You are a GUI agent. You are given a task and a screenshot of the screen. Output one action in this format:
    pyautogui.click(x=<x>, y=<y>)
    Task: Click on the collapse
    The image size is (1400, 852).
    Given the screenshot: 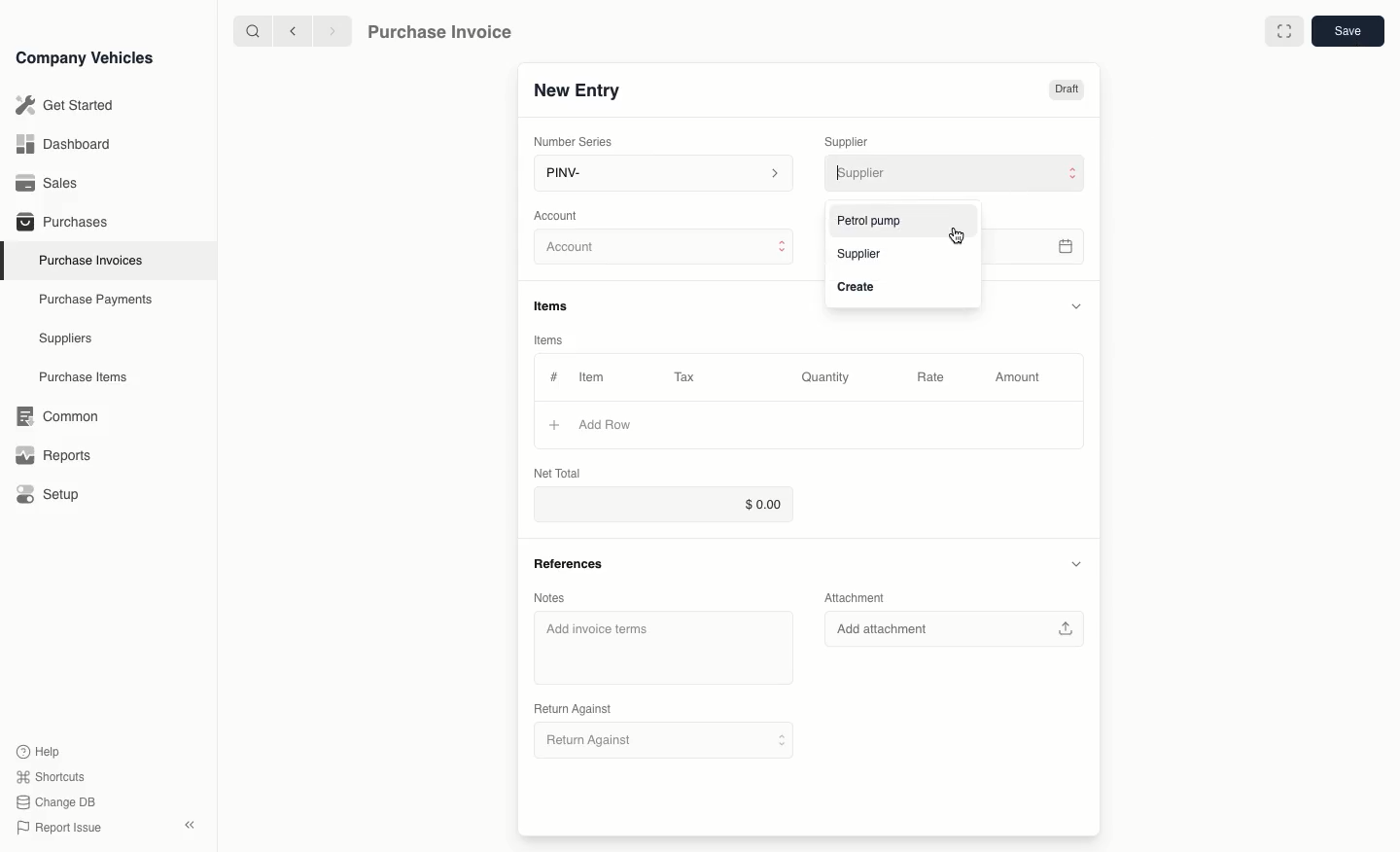 What is the action you would take?
    pyautogui.click(x=1077, y=304)
    